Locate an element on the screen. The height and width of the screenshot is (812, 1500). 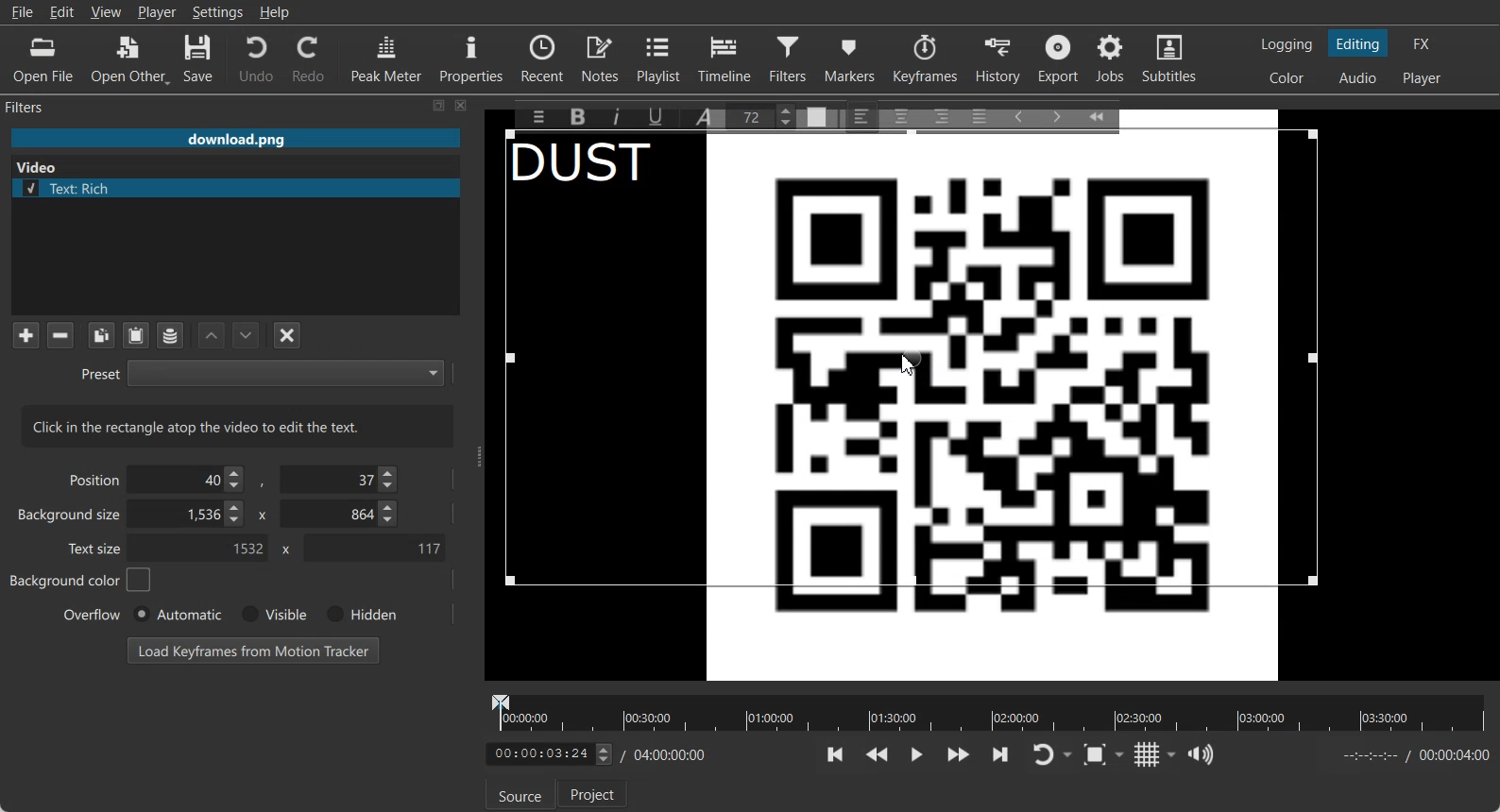
Switching to the Player only layout is located at coordinates (1423, 78).